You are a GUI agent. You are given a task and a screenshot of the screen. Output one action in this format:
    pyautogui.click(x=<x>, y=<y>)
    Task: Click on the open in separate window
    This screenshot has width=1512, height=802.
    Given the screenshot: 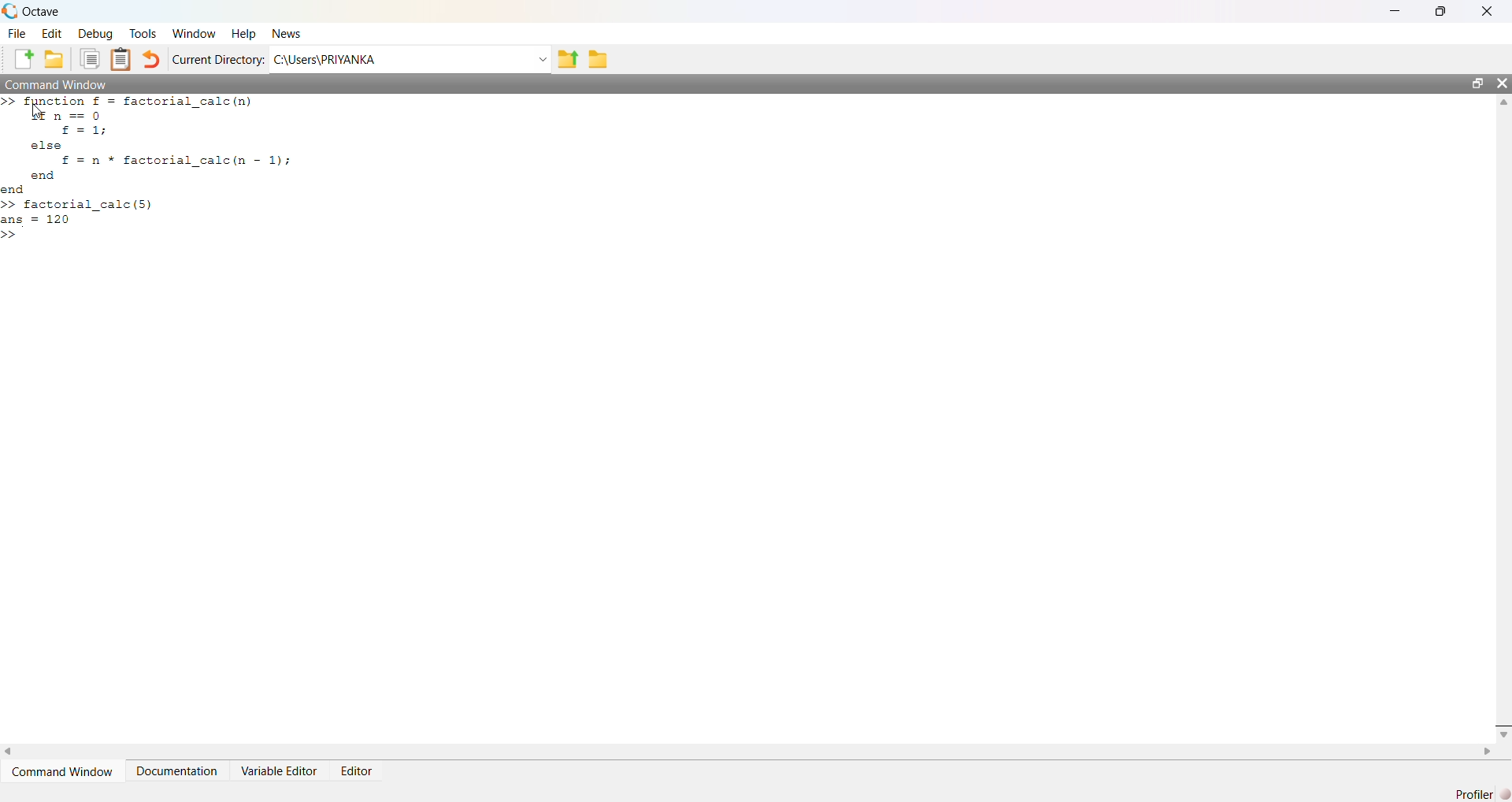 What is the action you would take?
    pyautogui.click(x=1477, y=81)
    